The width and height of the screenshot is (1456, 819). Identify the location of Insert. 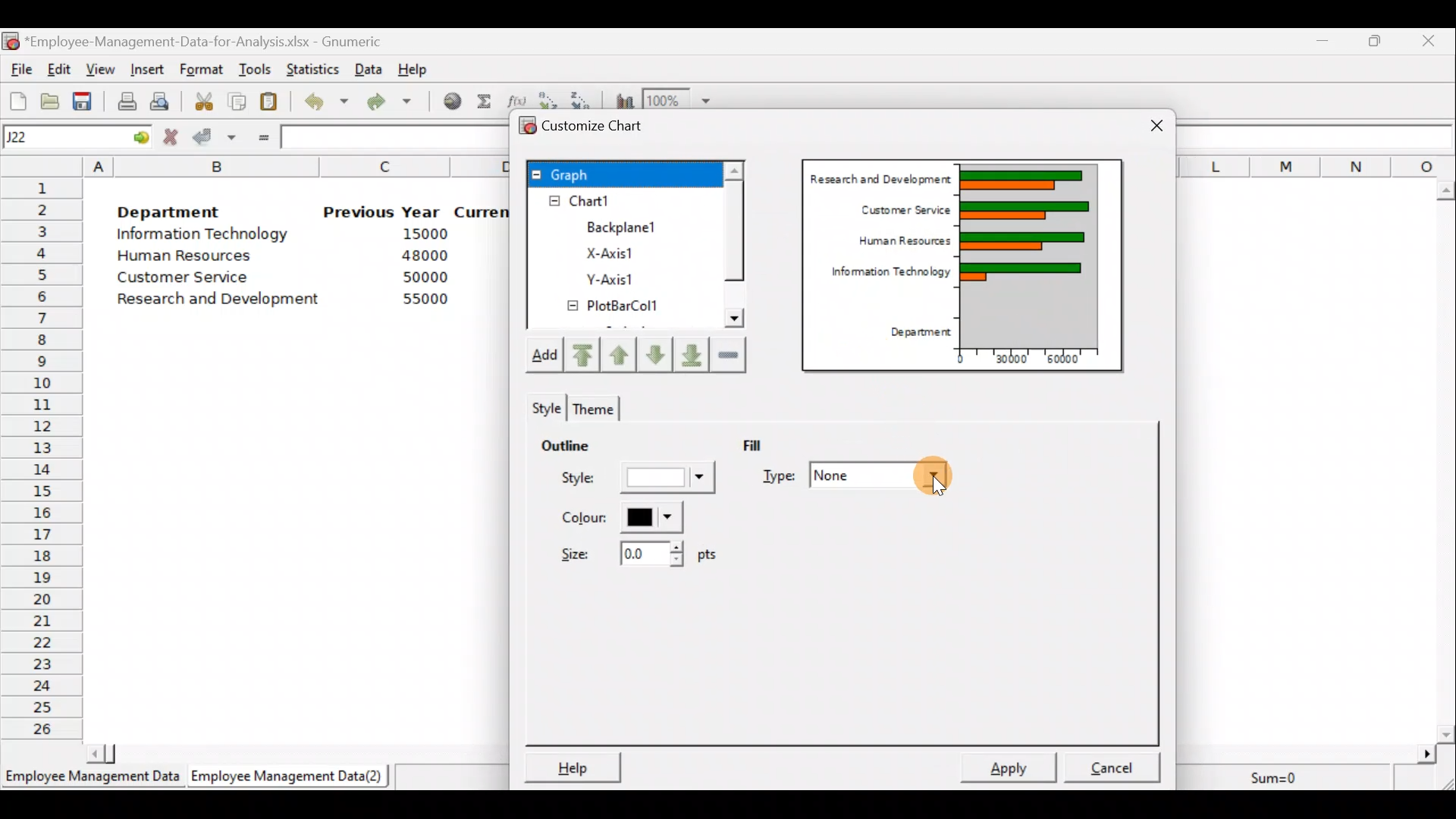
(150, 67).